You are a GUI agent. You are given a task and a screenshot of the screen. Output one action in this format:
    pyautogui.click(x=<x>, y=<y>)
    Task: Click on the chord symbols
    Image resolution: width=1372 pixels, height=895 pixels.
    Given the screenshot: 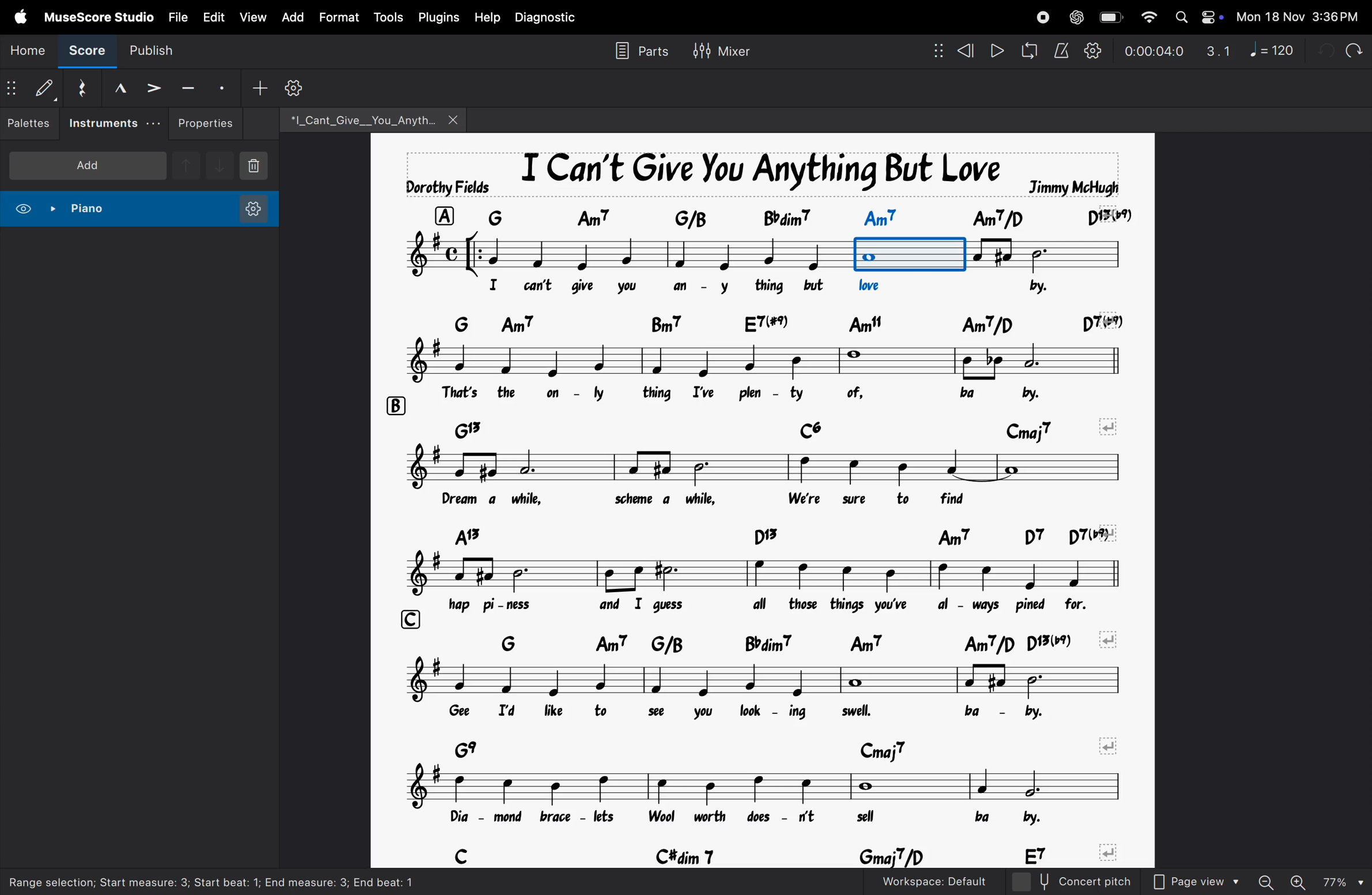 What is the action you would take?
    pyautogui.click(x=782, y=535)
    